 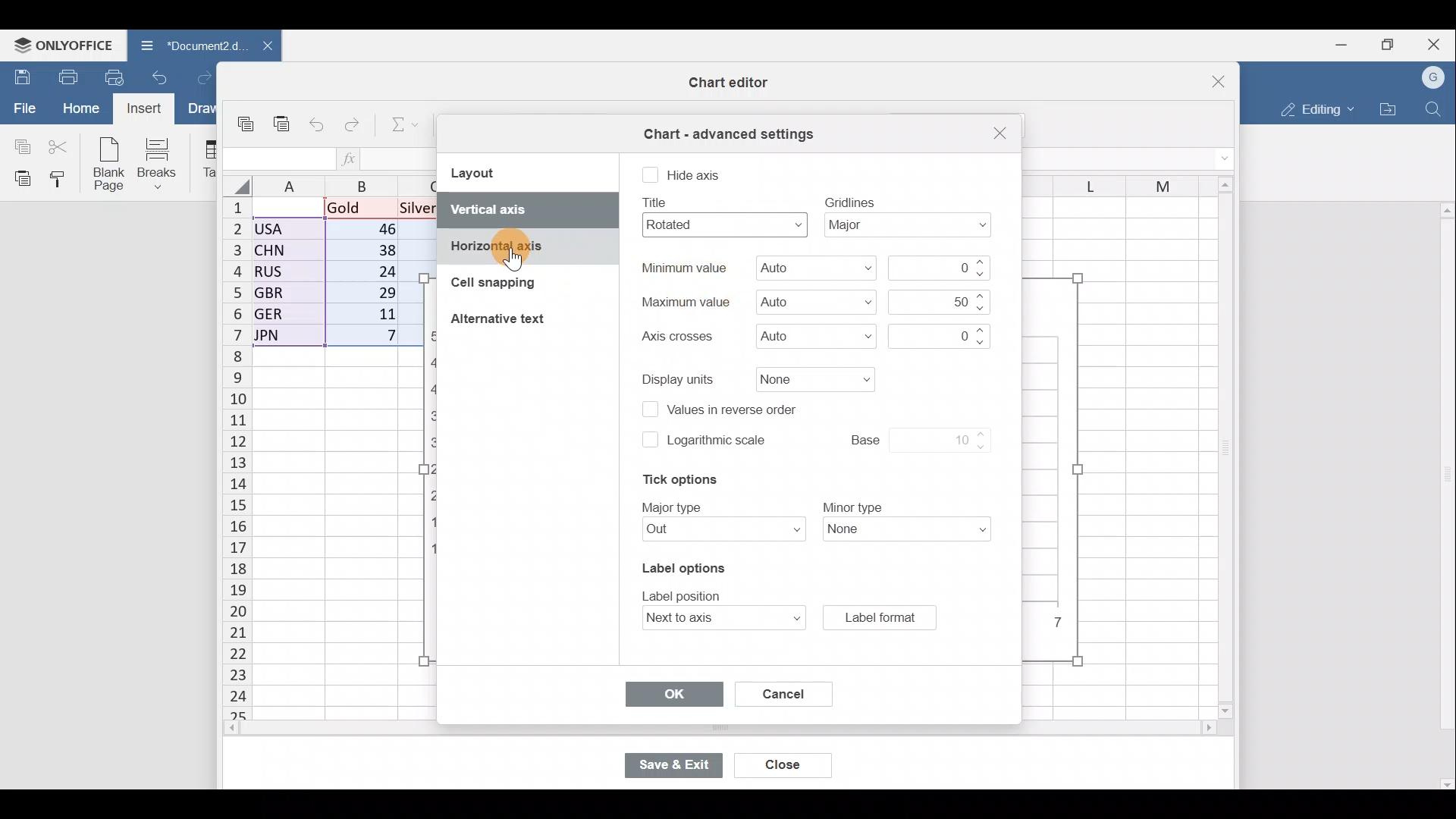 I want to click on text, so click(x=683, y=268).